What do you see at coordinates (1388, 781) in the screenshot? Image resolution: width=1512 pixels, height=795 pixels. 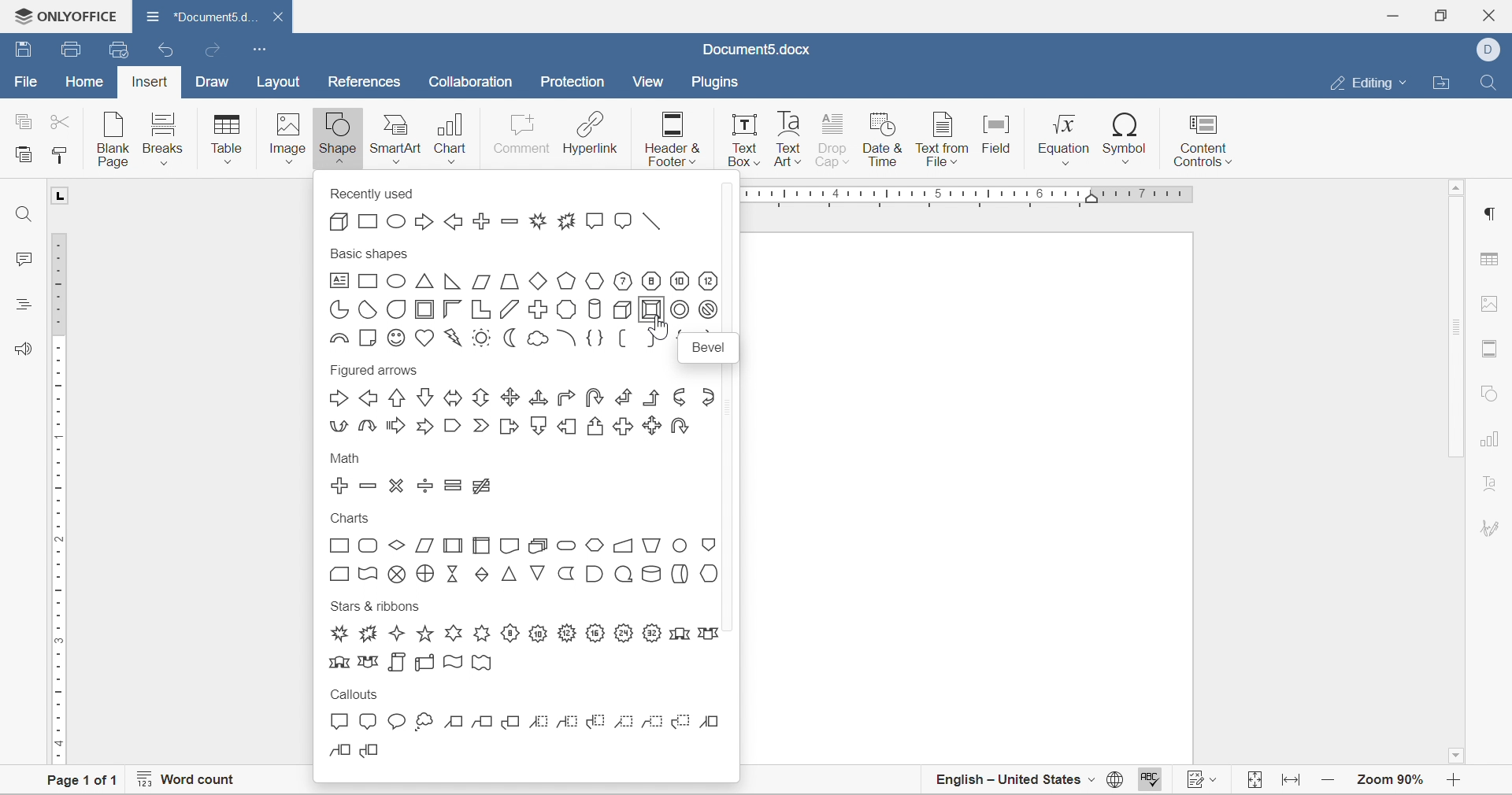 I see `zoom 90%` at bounding box center [1388, 781].